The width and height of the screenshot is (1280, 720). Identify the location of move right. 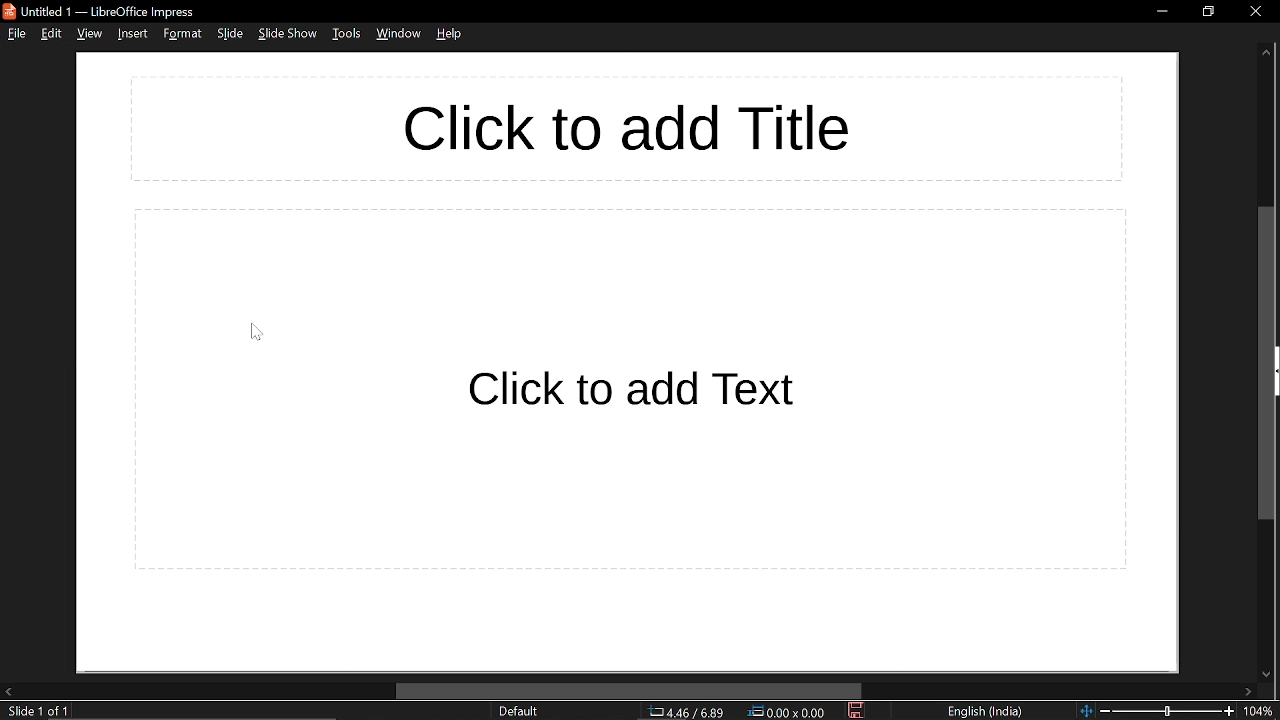
(1249, 691).